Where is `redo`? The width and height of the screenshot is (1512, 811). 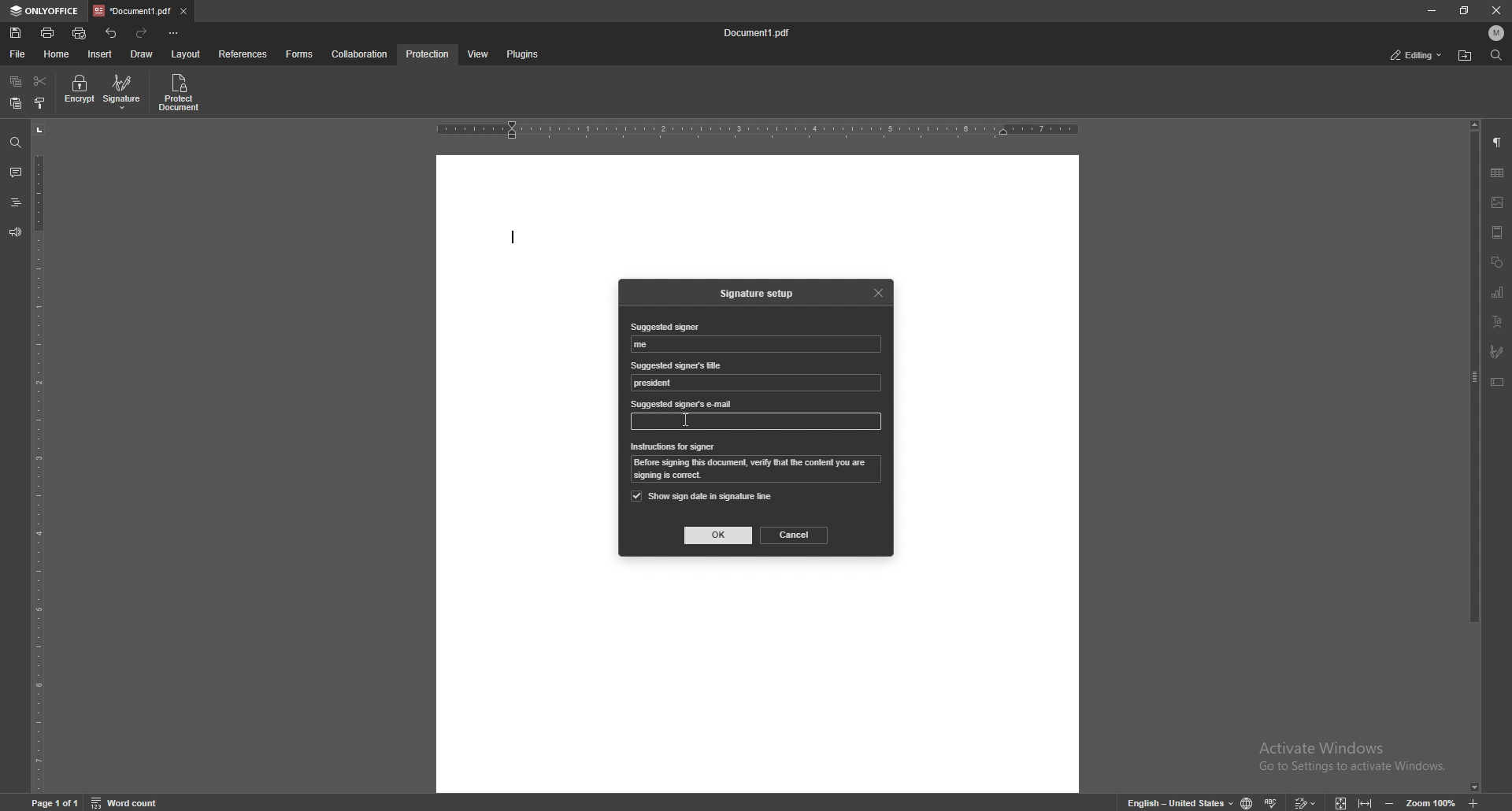
redo is located at coordinates (143, 33).